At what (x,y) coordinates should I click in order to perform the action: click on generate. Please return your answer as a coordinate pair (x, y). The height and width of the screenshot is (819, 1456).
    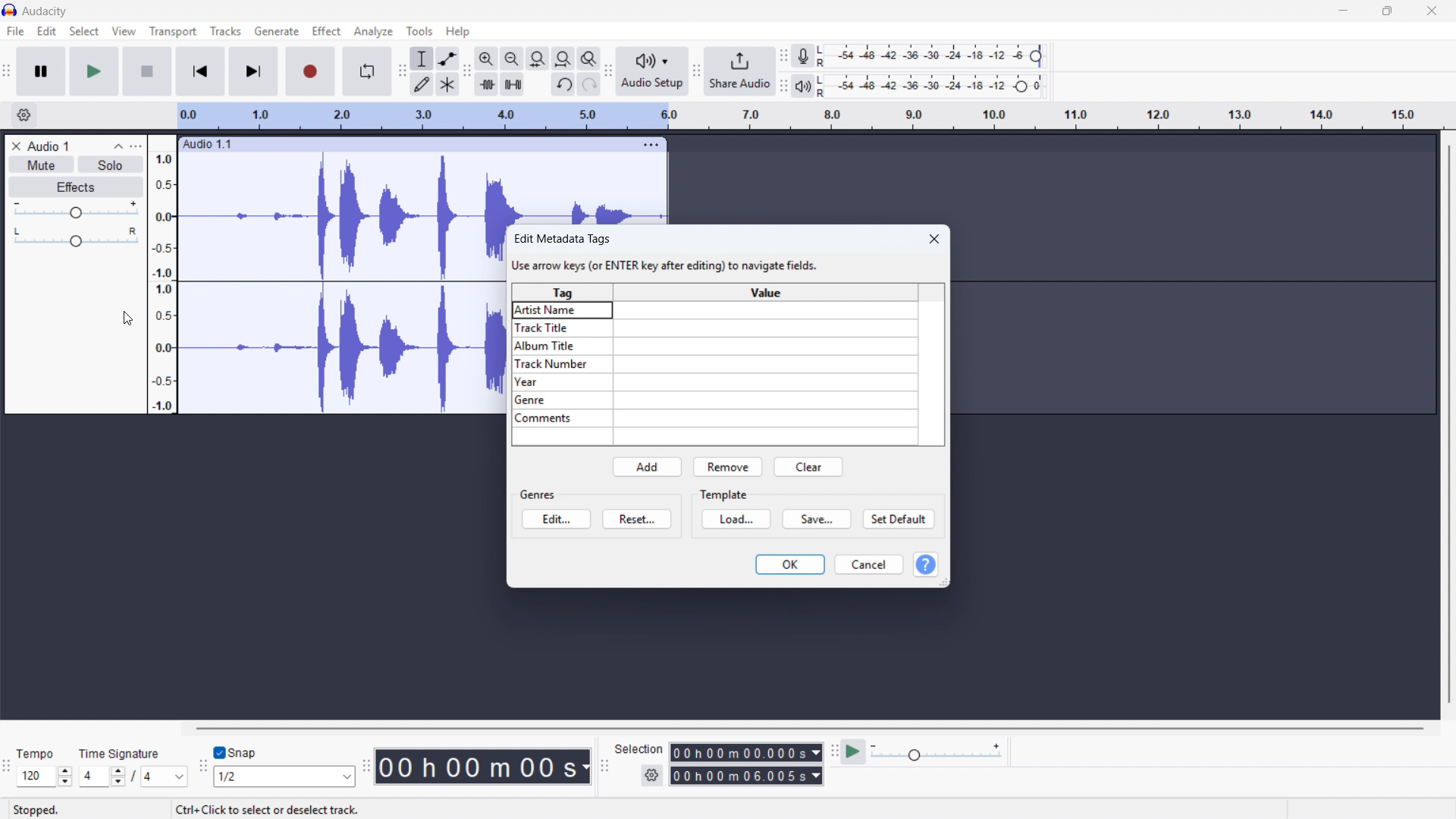
    Looking at the image, I should click on (277, 31).